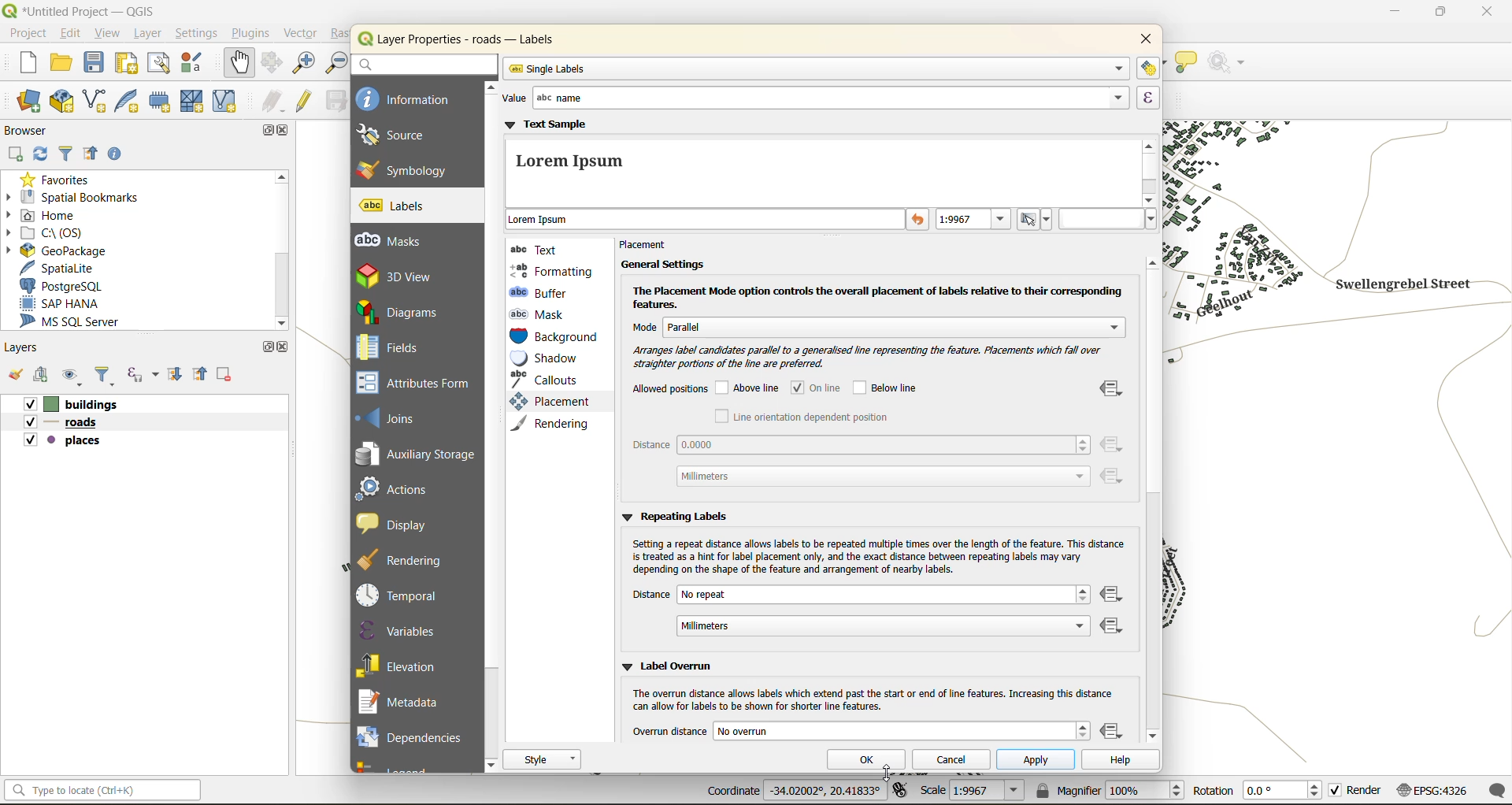  Describe the element at coordinates (399, 523) in the screenshot. I see `display` at that location.